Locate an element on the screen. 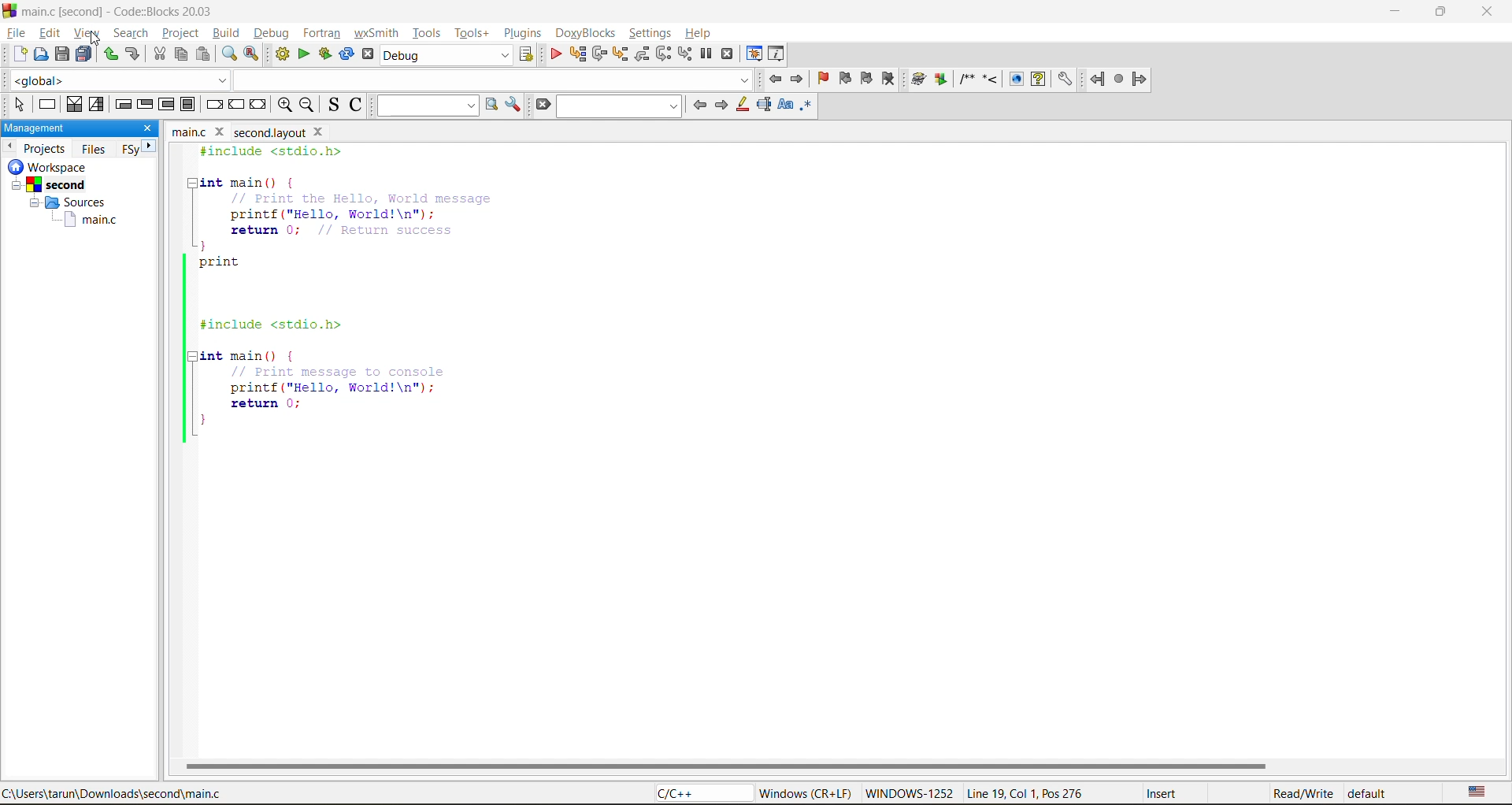  toggle bookmark is located at coordinates (823, 80).